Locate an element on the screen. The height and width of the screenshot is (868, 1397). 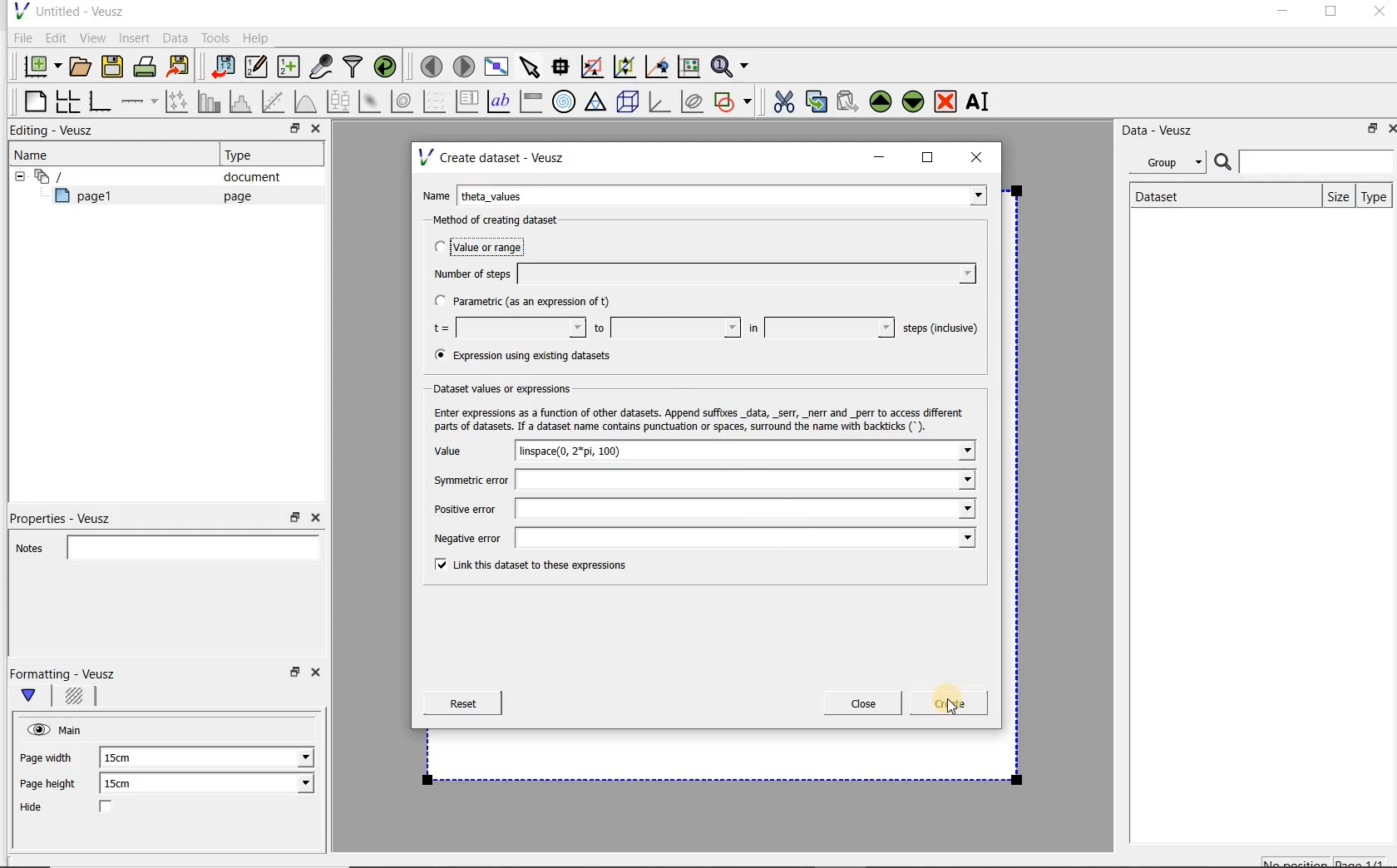
Page width dropdown is located at coordinates (287, 757).